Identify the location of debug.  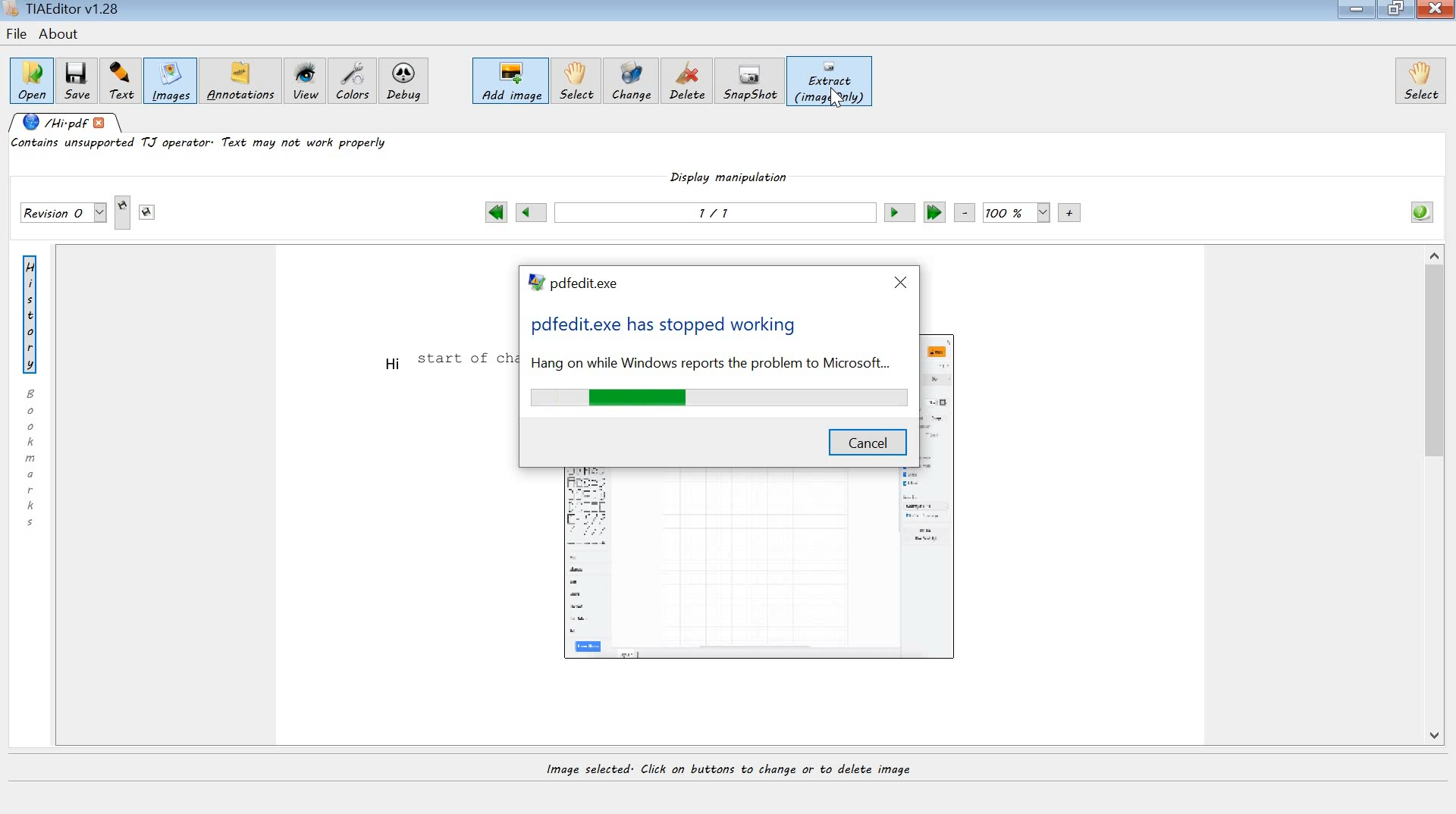
(406, 83).